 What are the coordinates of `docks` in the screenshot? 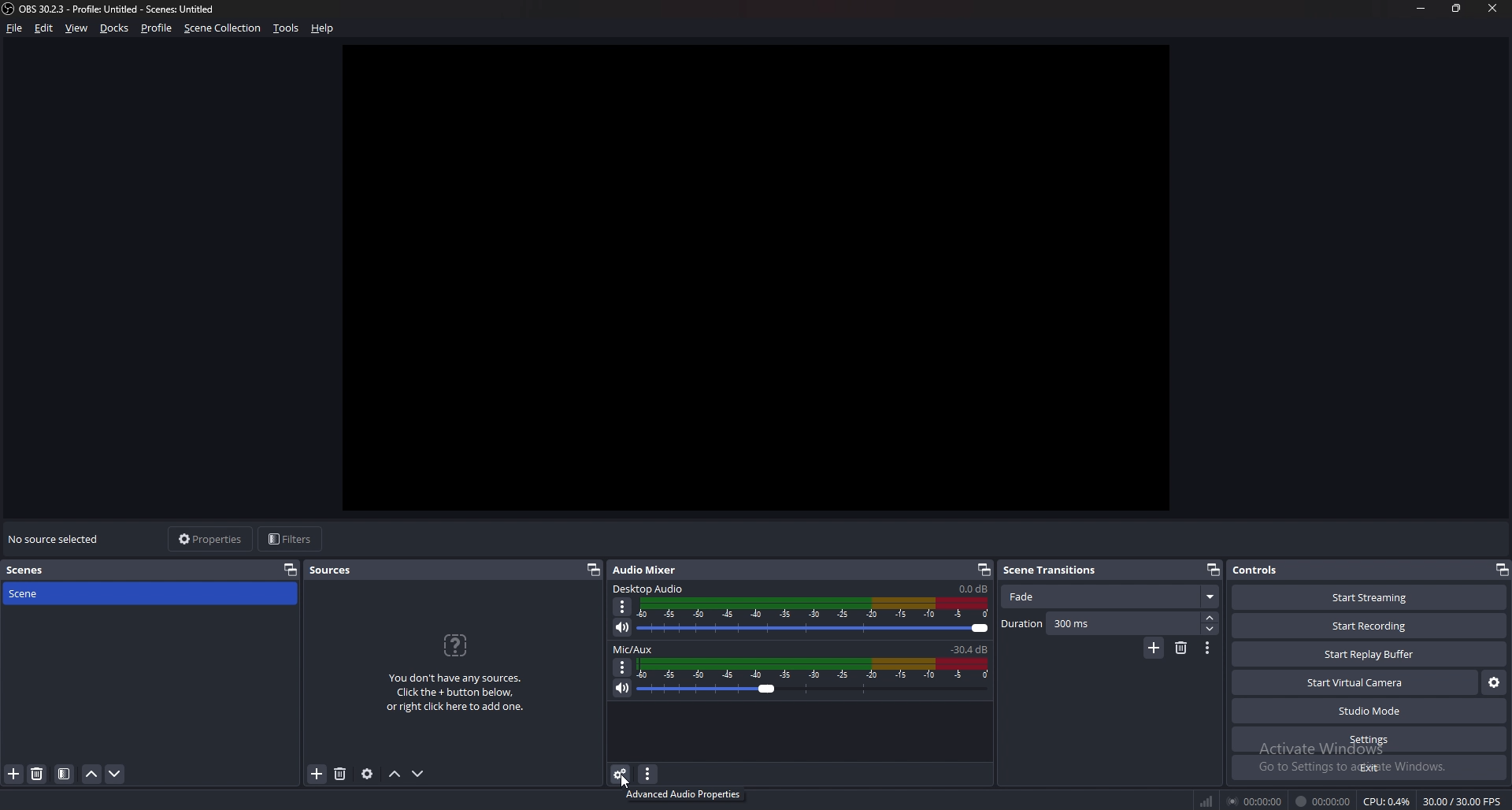 It's located at (114, 28).